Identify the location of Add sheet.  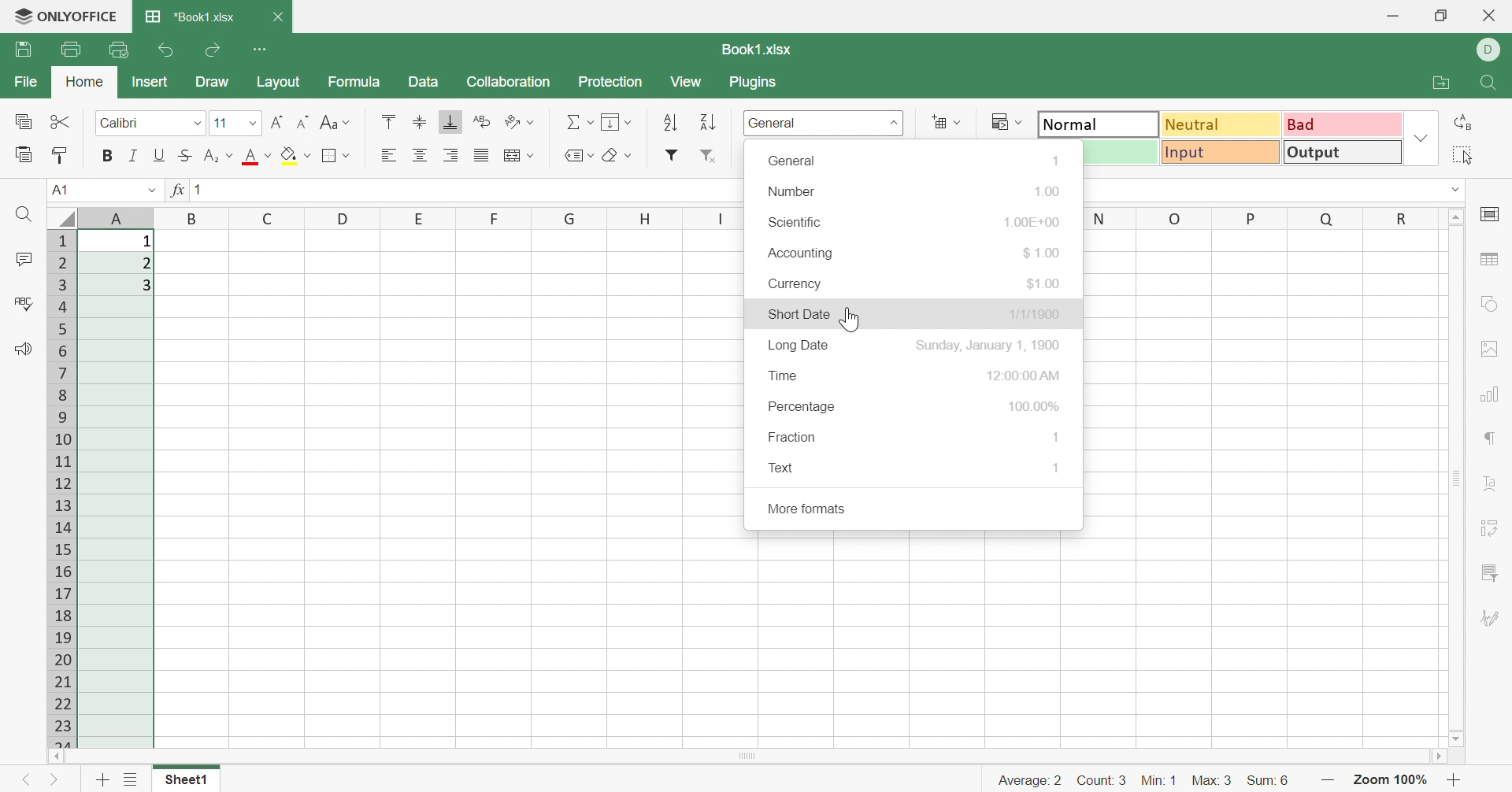
(102, 779).